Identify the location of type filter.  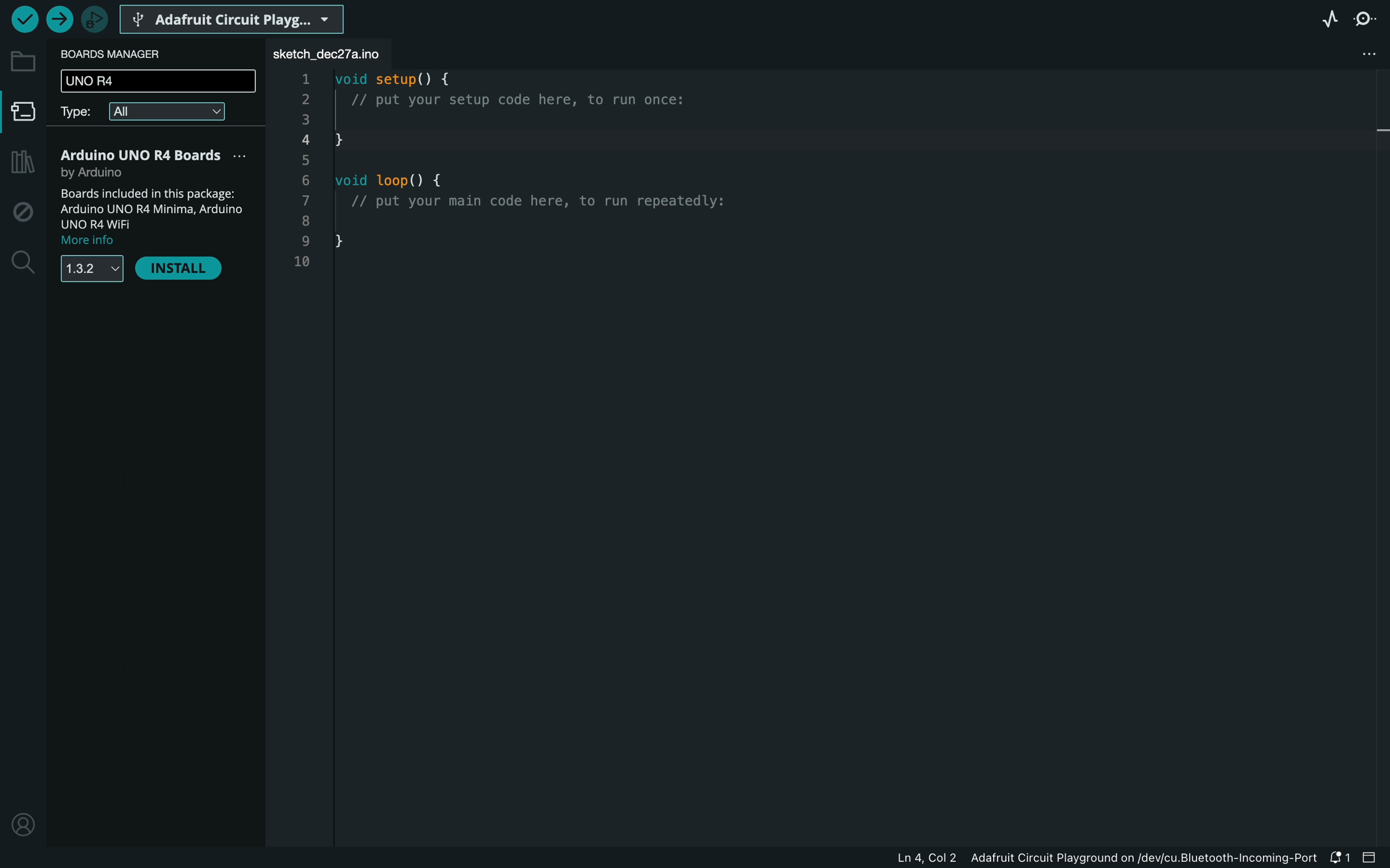
(74, 115).